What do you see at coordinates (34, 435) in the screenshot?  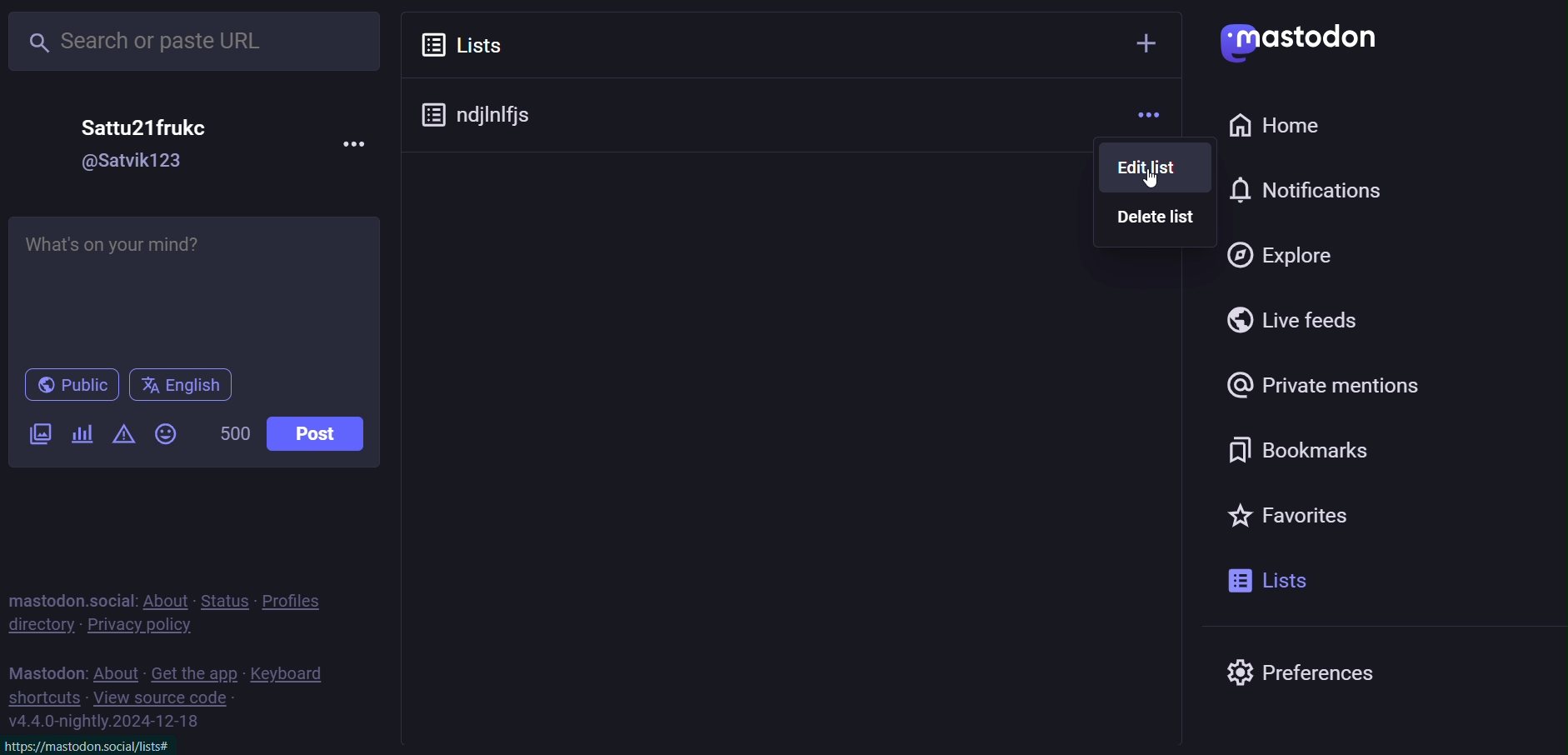 I see `image/video` at bounding box center [34, 435].